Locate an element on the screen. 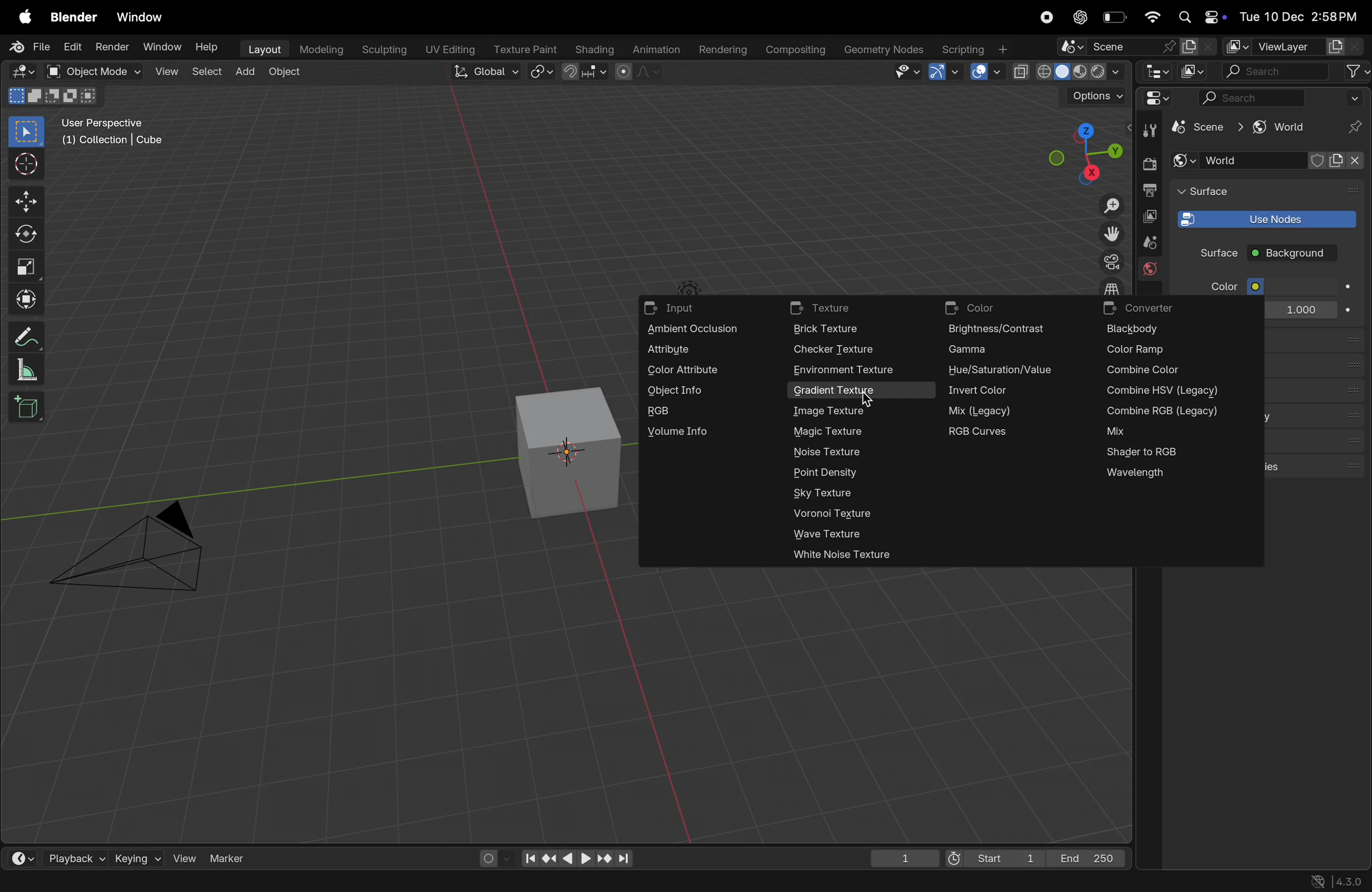 The height and width of the screenshot is (892, 1372). image texture is located at coordinates (830, 411).